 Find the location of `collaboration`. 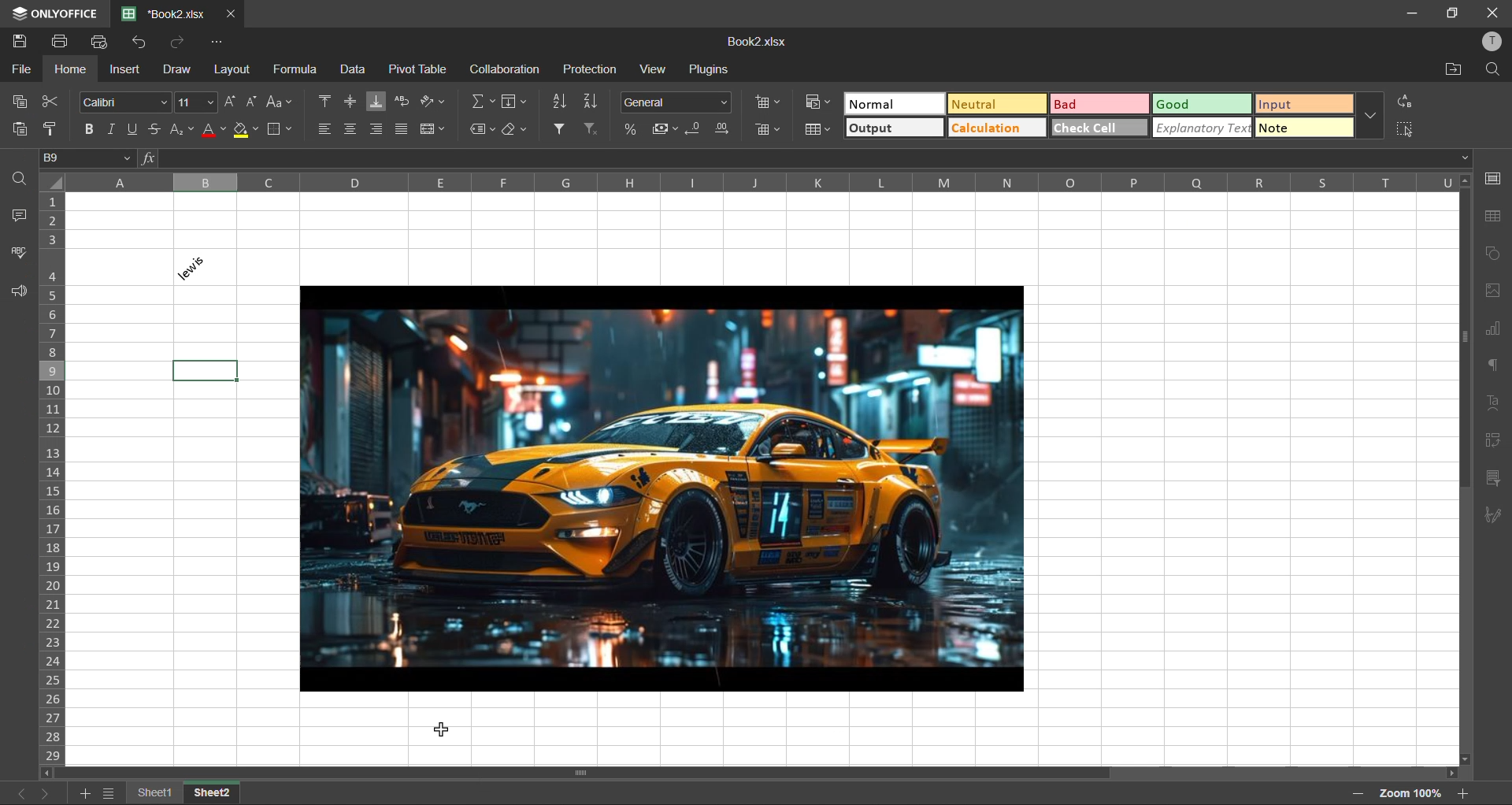

collaboration is located at coordinates (508, 70).